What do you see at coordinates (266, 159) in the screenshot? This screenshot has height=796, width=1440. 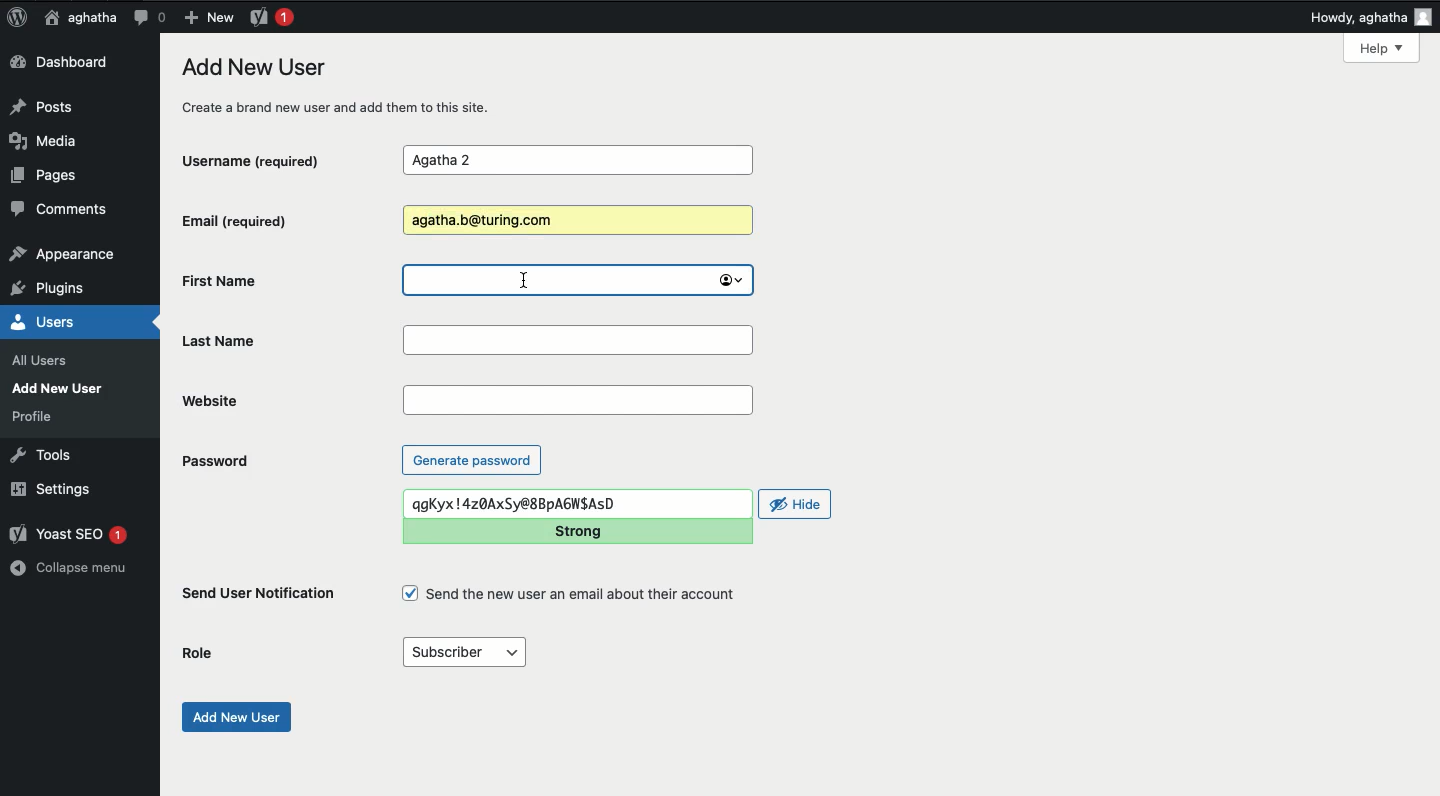 I see `Username (required)` at bounding box center [266, 159].